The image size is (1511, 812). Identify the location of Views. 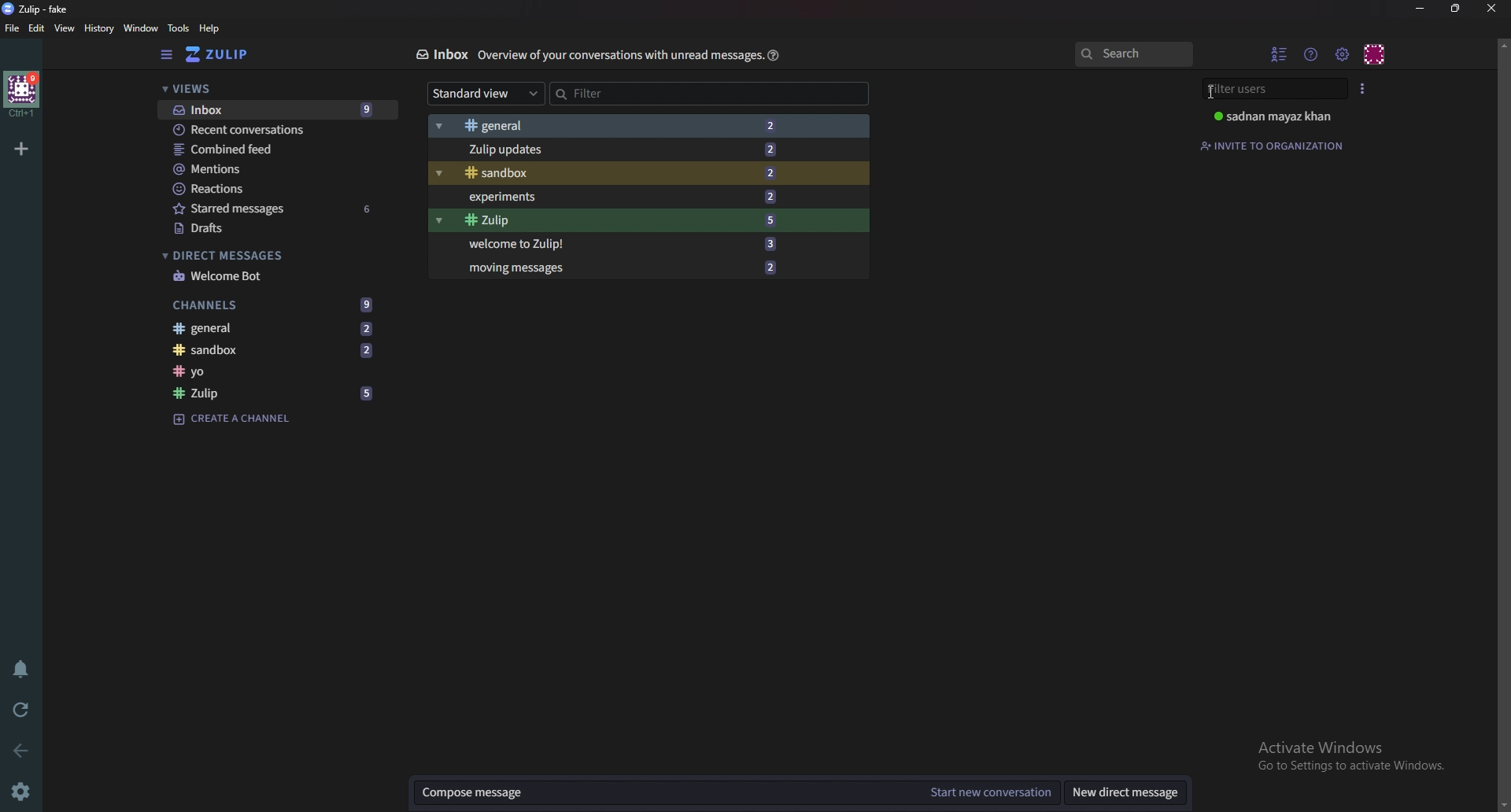
(268, 90).